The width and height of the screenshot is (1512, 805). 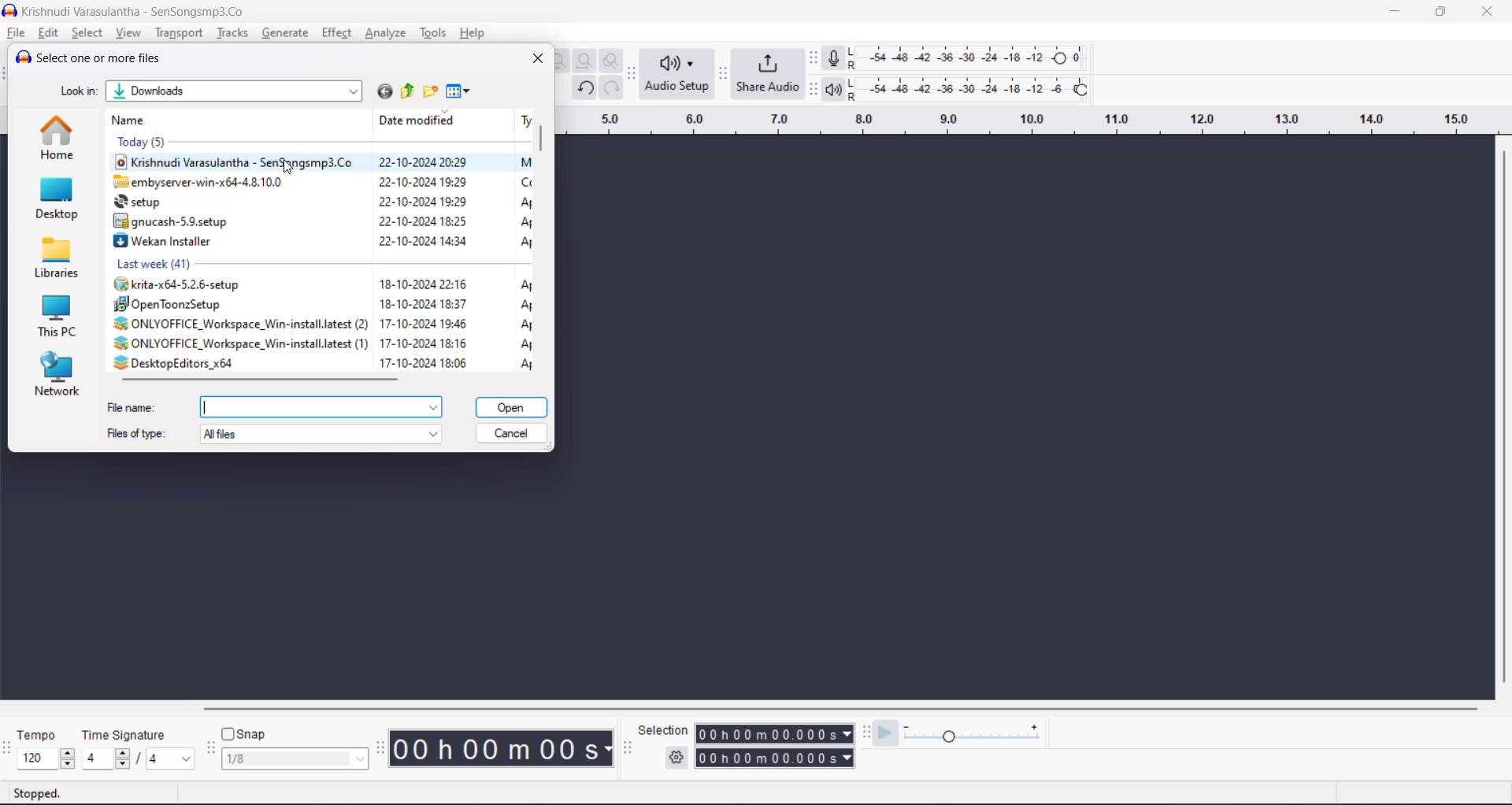 I want to click on audio setup toolbar, so click(x=632, y=75).